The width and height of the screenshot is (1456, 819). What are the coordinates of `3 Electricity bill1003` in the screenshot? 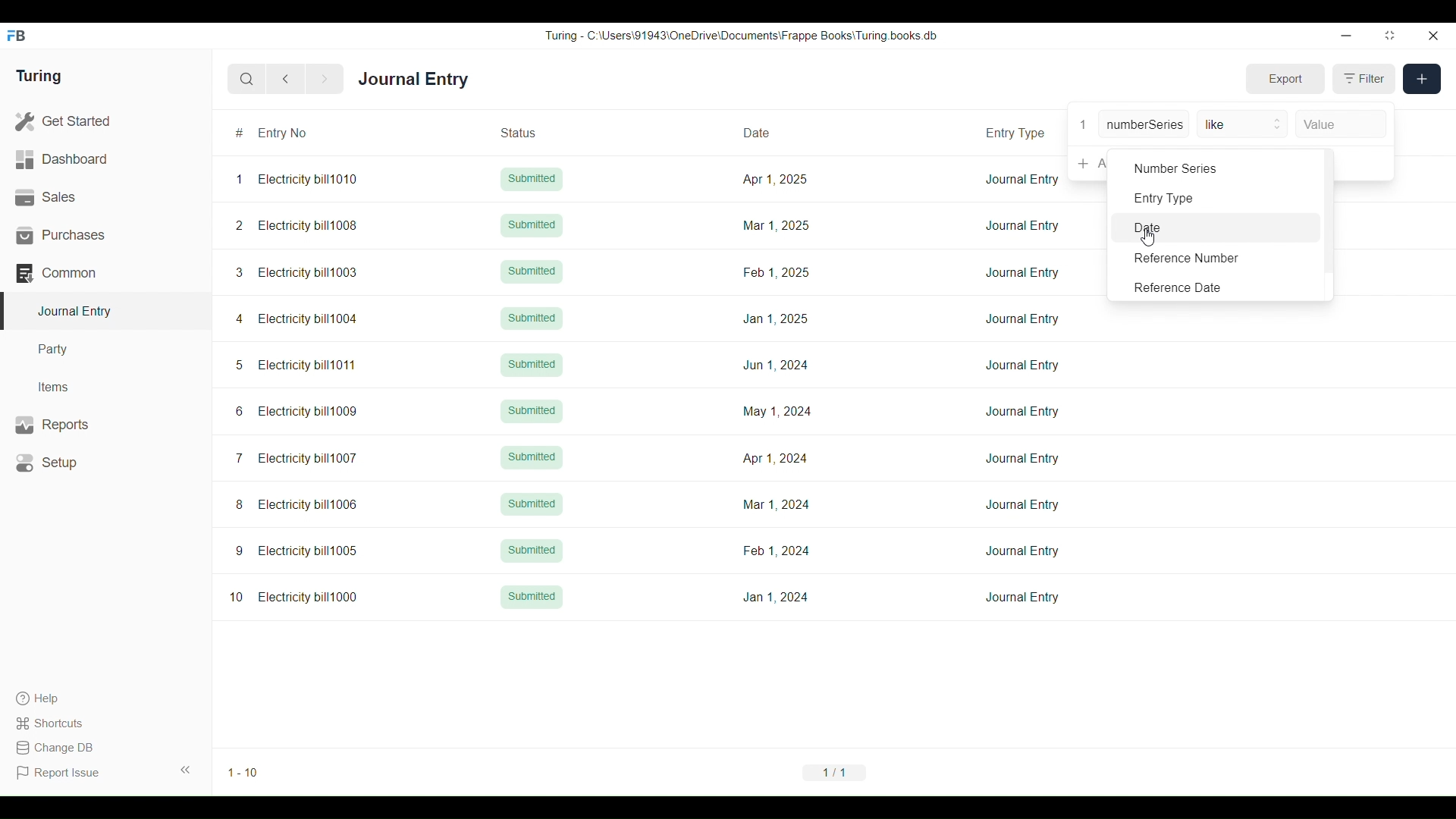 It's located at (297, 272).